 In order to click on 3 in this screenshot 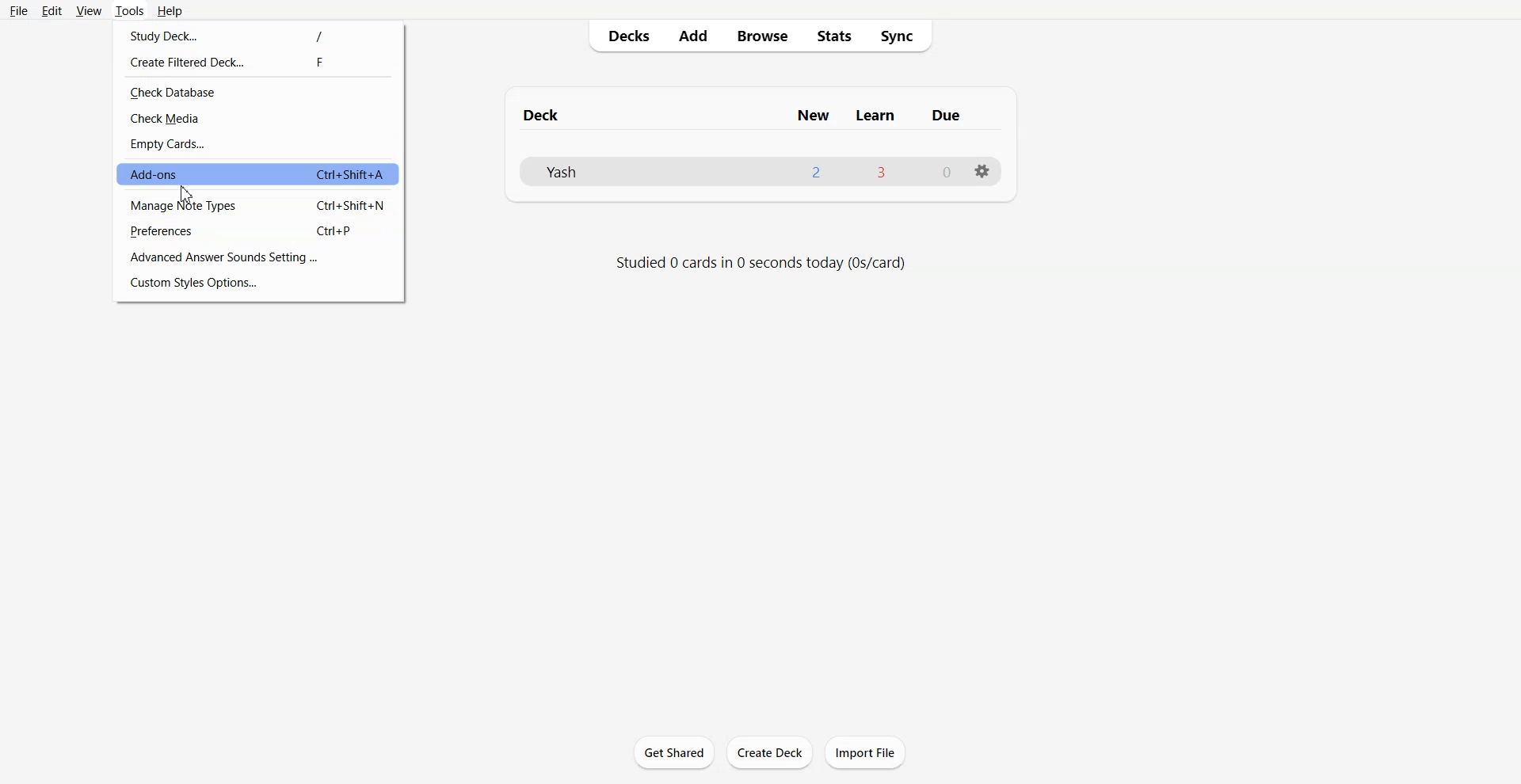, I will do `click(882, 173)`.